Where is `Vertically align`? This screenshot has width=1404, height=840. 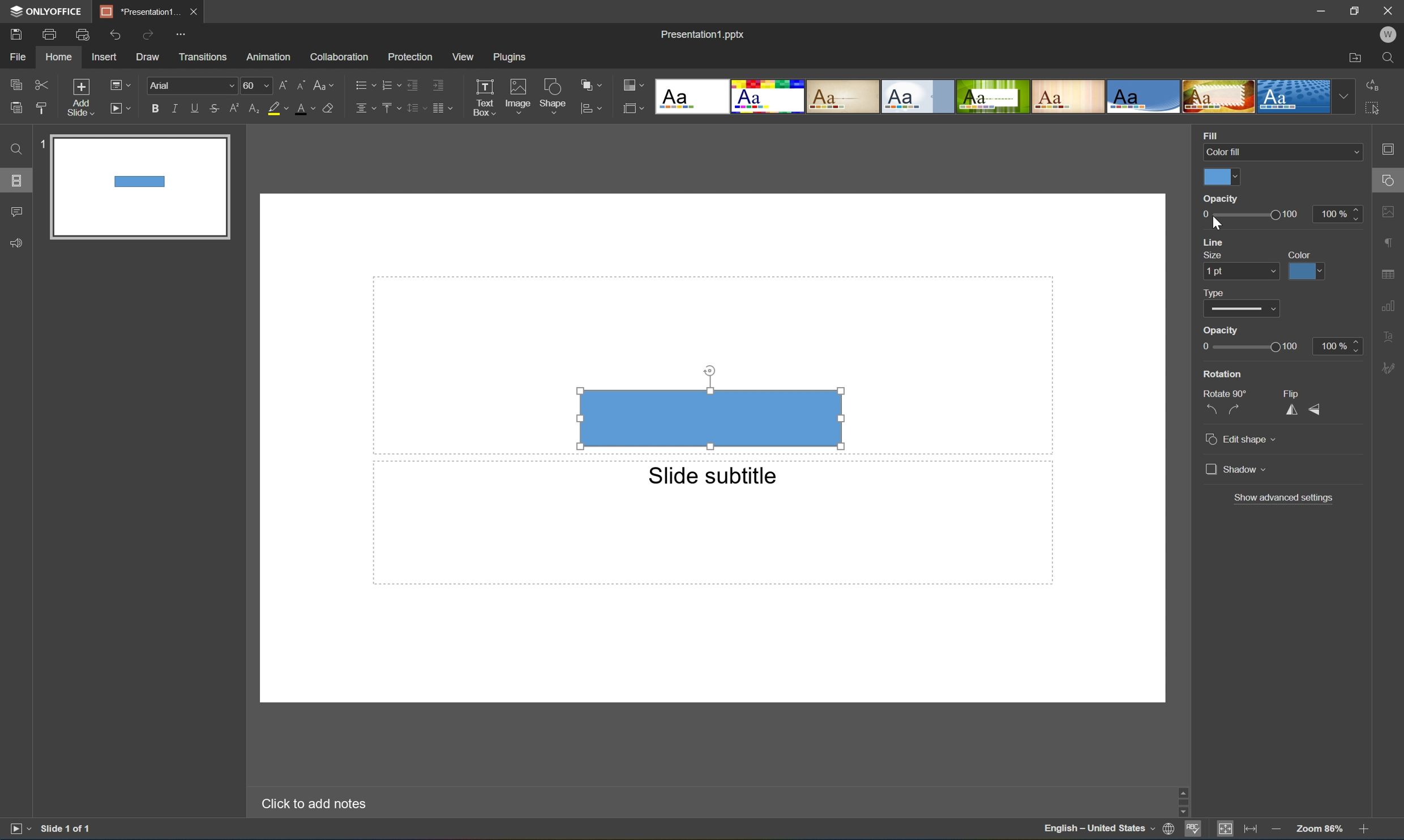
Vertically align is located at coordinates (389, 107).